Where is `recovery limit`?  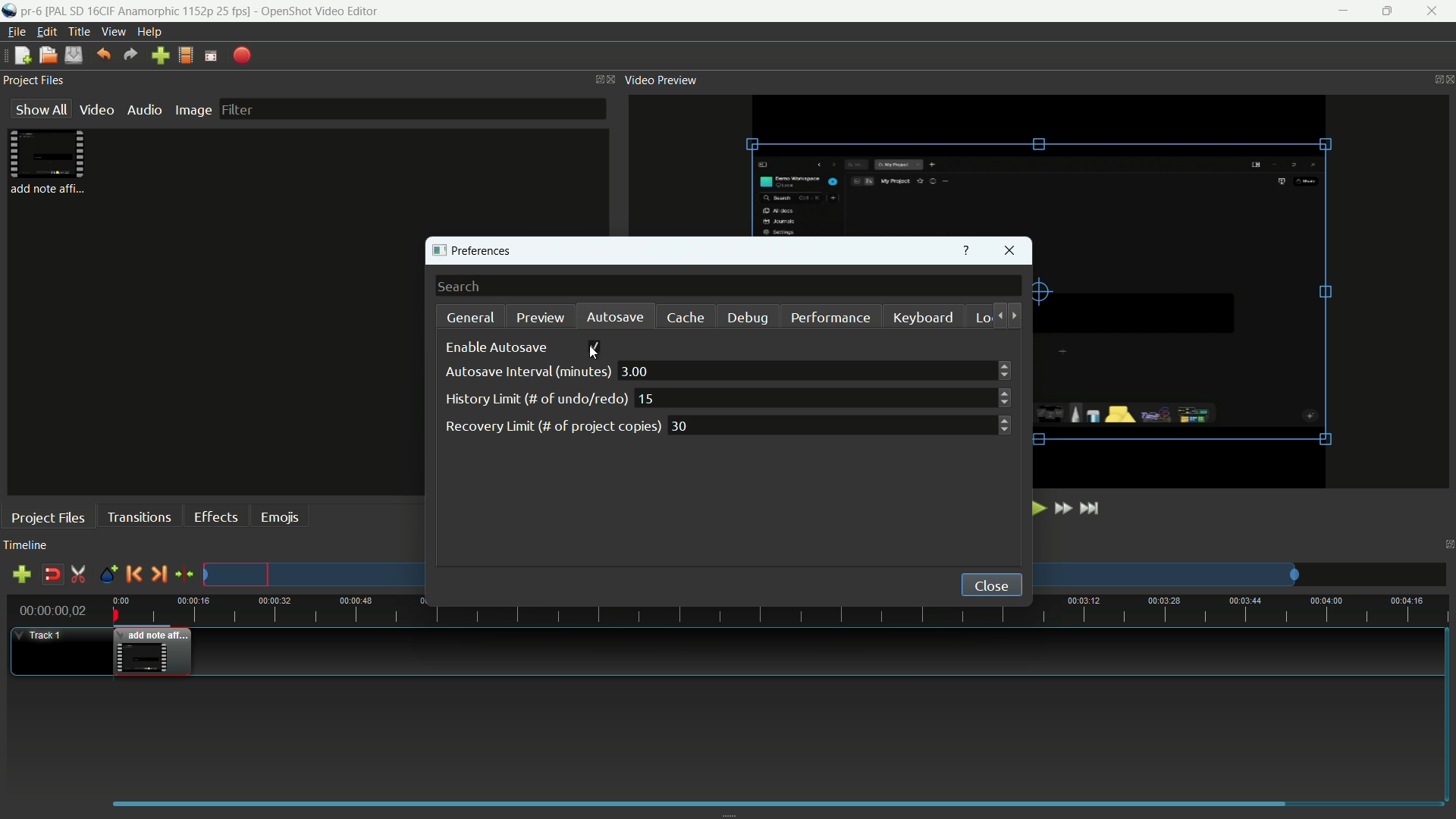 recovery limit is located at coordinates (552, 426).